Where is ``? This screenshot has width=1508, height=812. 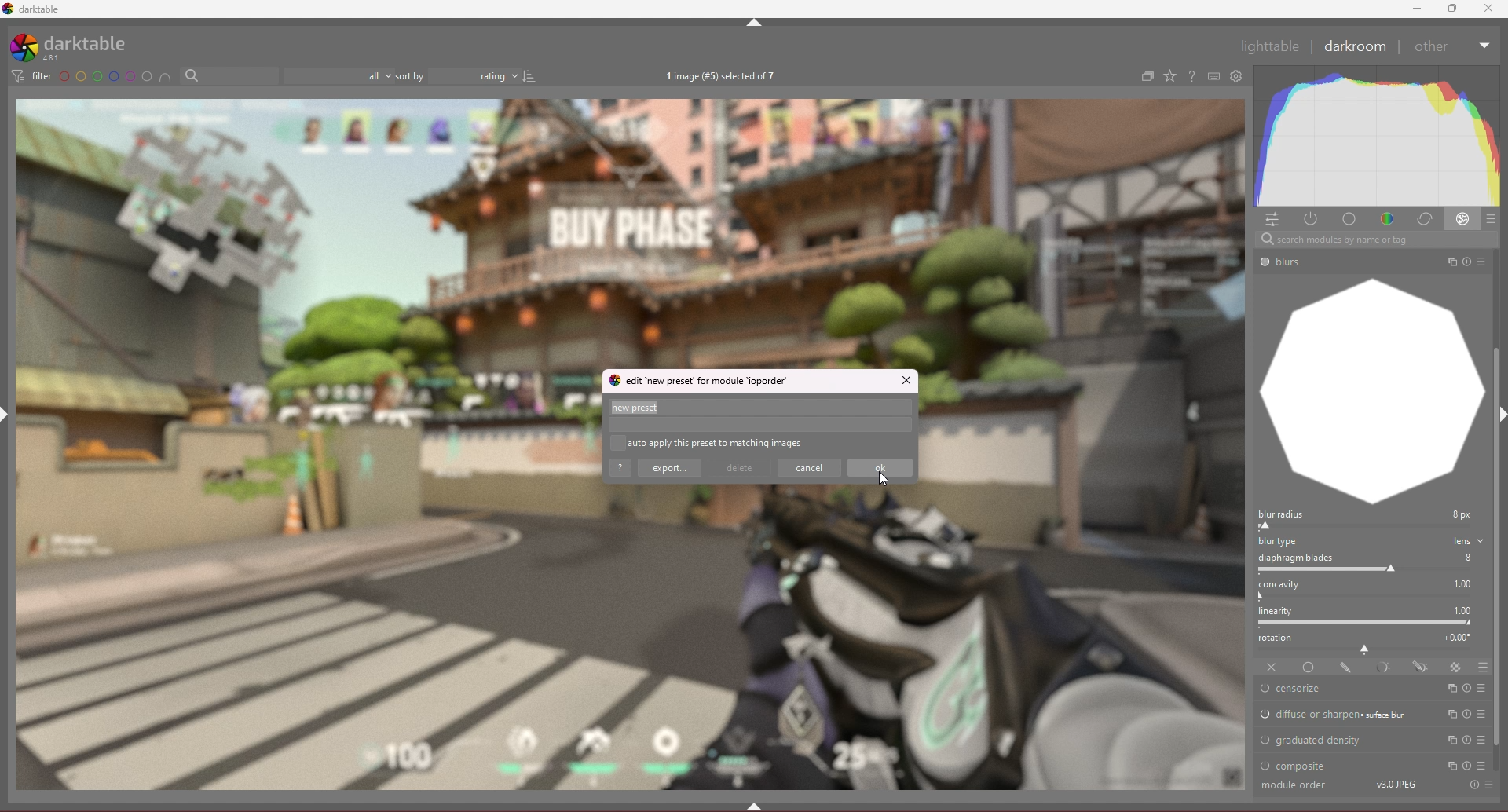
 is located at coordinates (1466, 767).